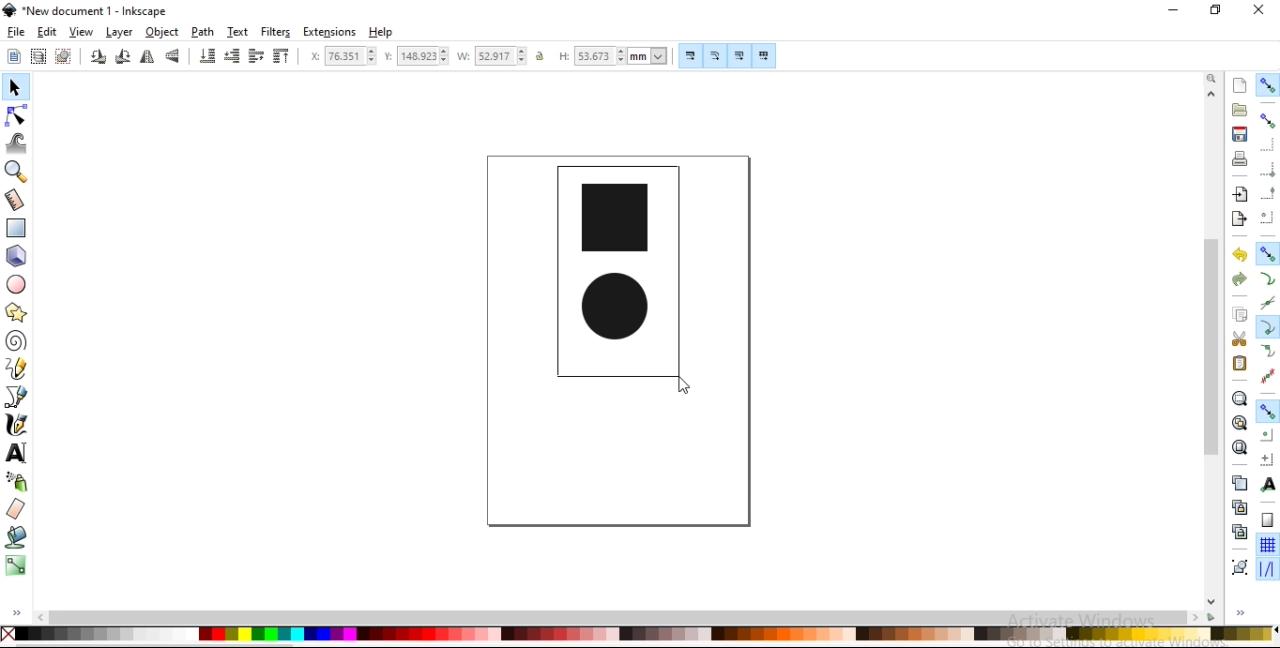 This screenshot has width=1280, height=648. What do you see at coordinates (1241, 109) in the screenshot?
I see `open a existing document` at bounding box center [1241, 109].